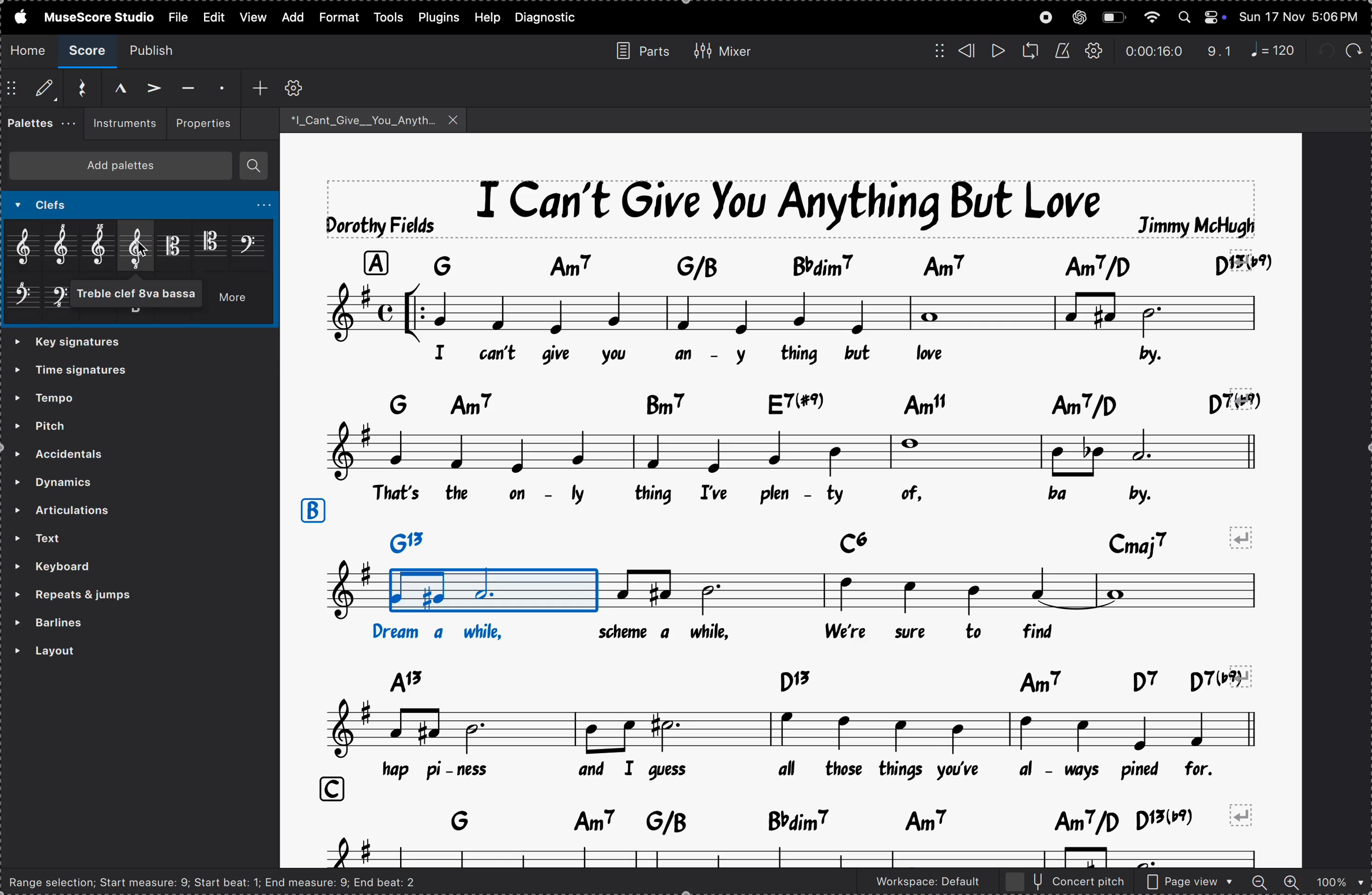 Image resolution: width=1372 pixels, height=895 pixels. What do you see at coordinates (101, 623) in the screenshot?
I see `barlines` at bounding box center [101, 623].